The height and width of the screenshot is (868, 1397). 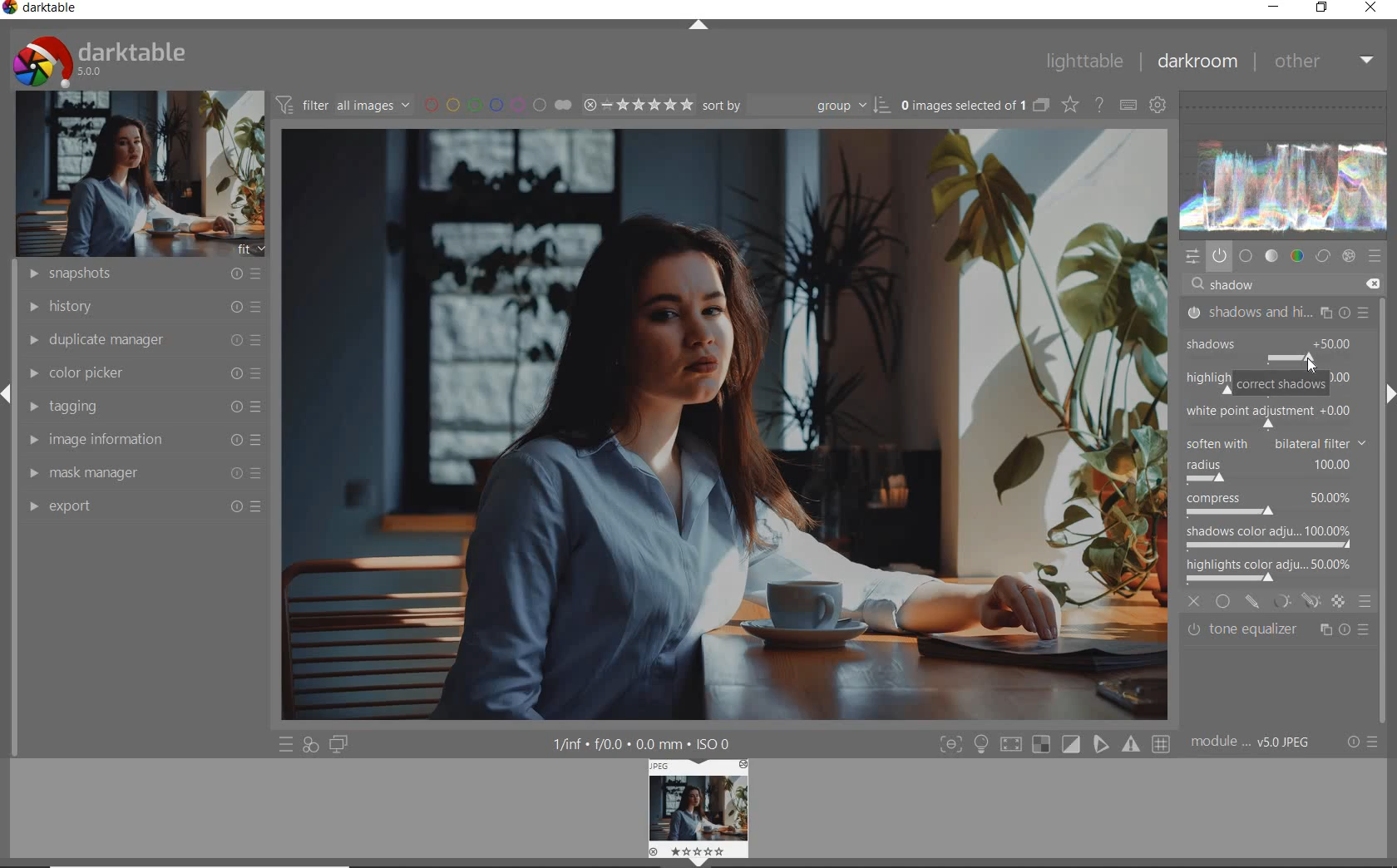 I want to click on other, so click(x=1323, y=61).